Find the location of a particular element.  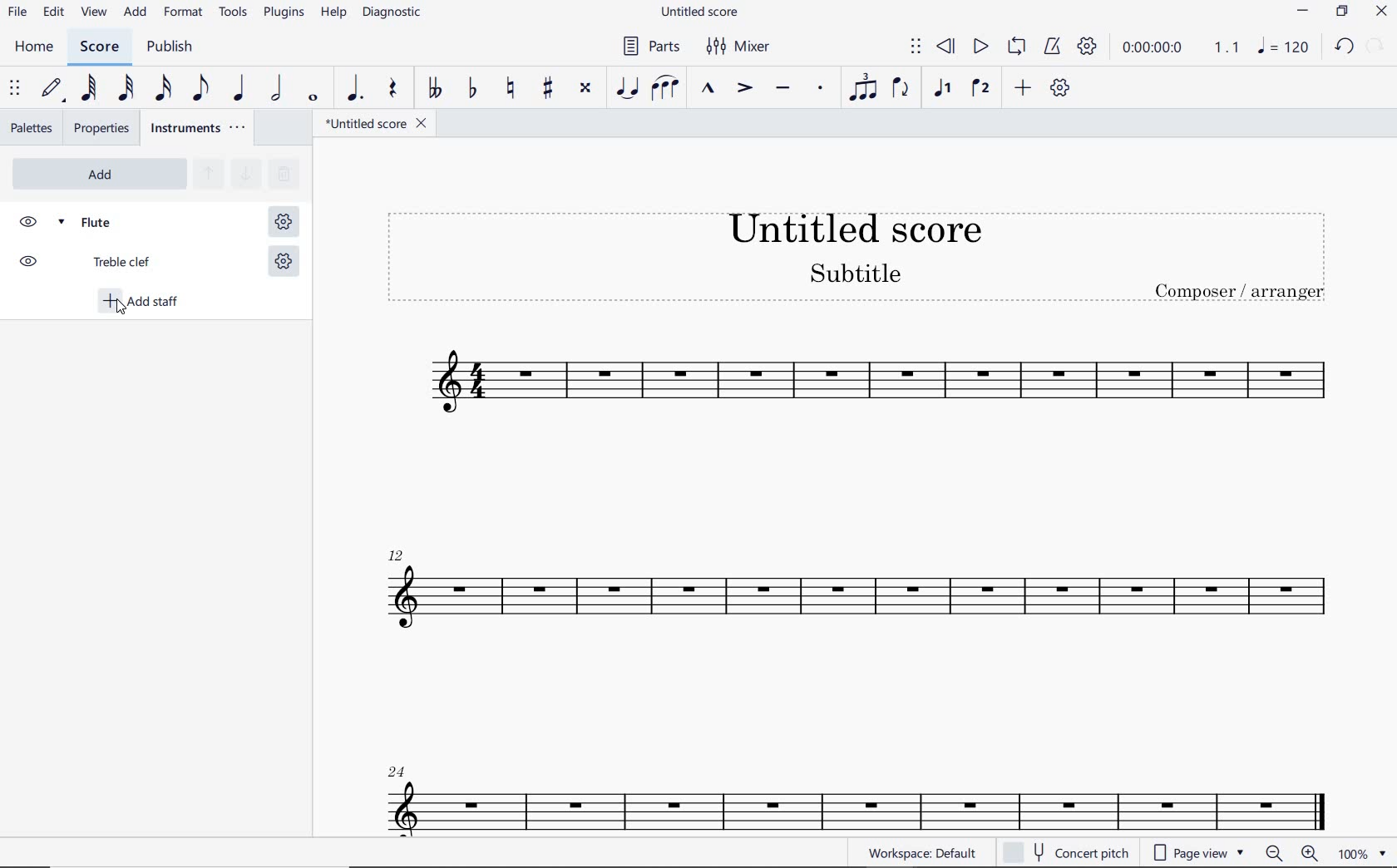

view is located at coordinates (96, 13).